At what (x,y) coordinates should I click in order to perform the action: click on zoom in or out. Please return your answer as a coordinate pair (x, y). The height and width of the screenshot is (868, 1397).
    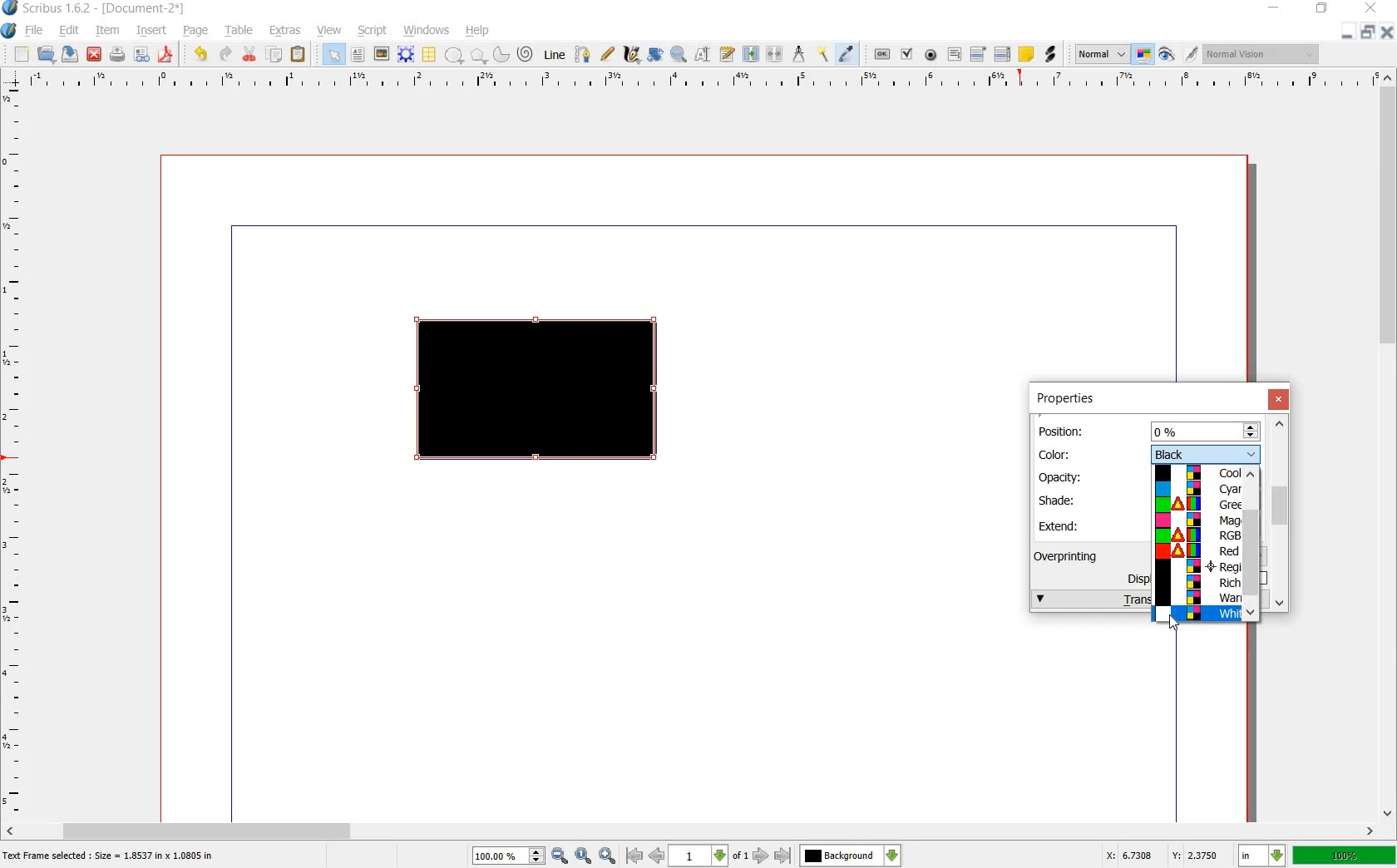
    Looking at the image, I should click on (678, 56).